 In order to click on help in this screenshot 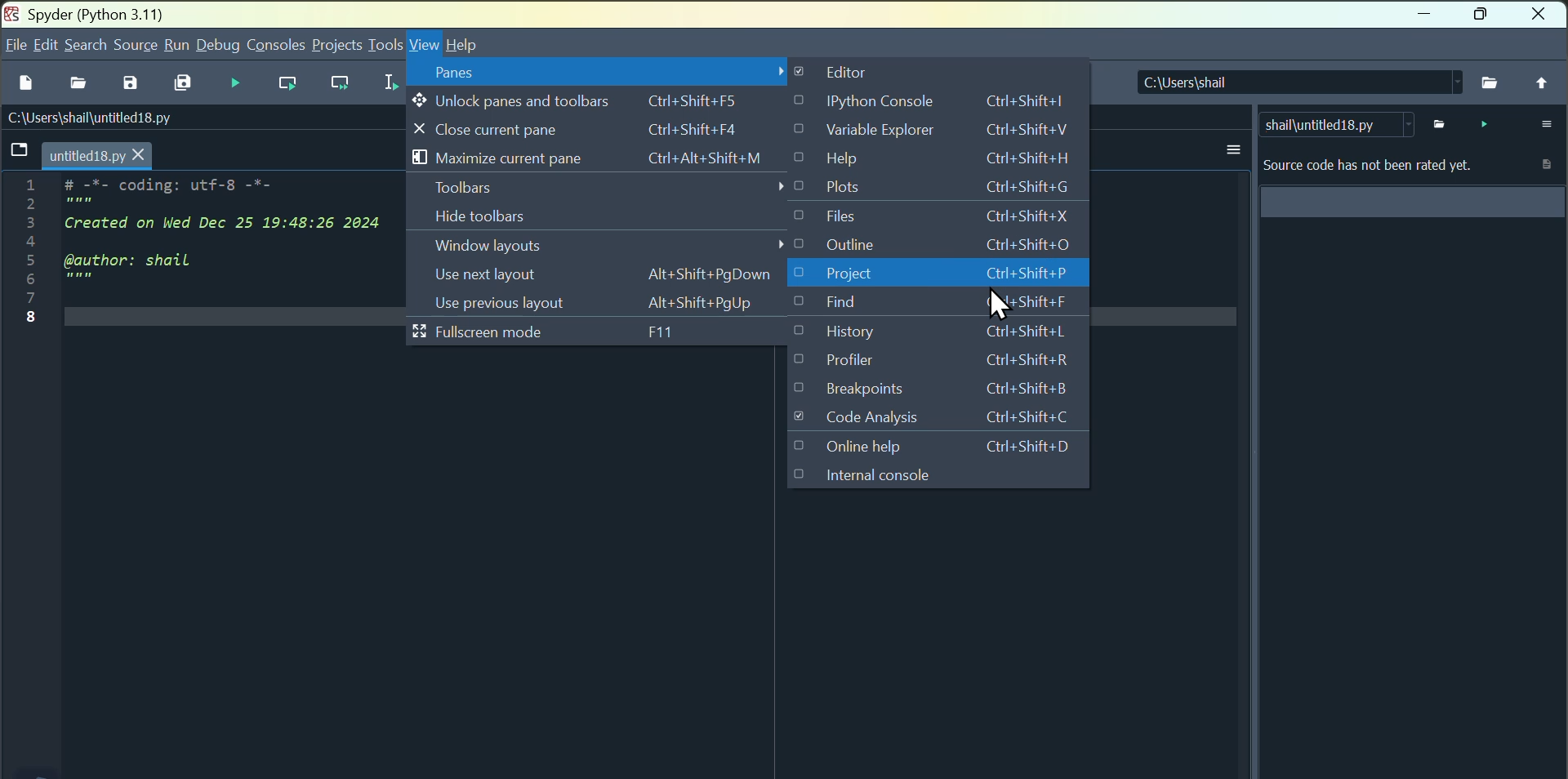, I will do `click(940, 158)`.